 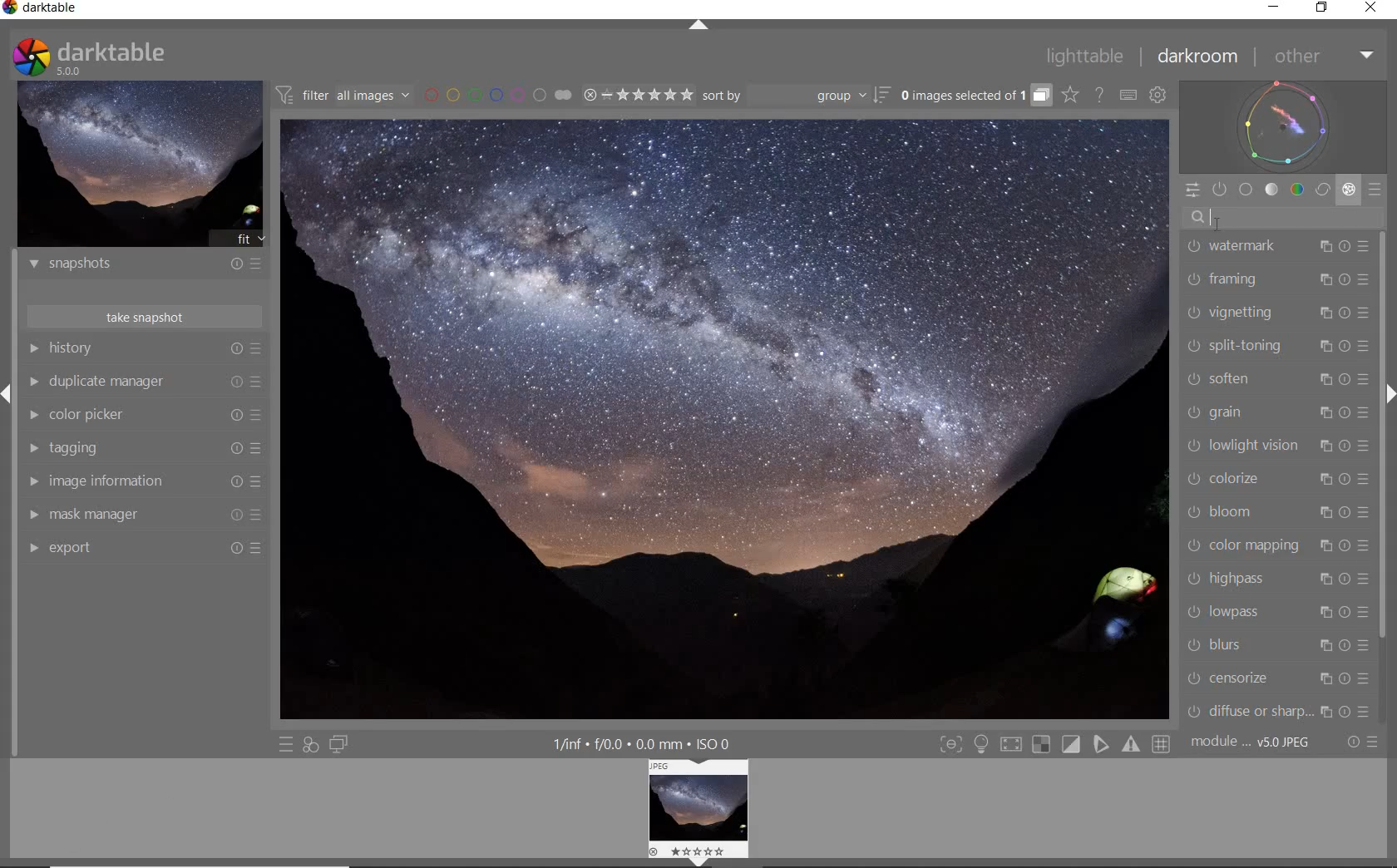 I want to click on multiple instance actions, so click(x=1325, y=377).